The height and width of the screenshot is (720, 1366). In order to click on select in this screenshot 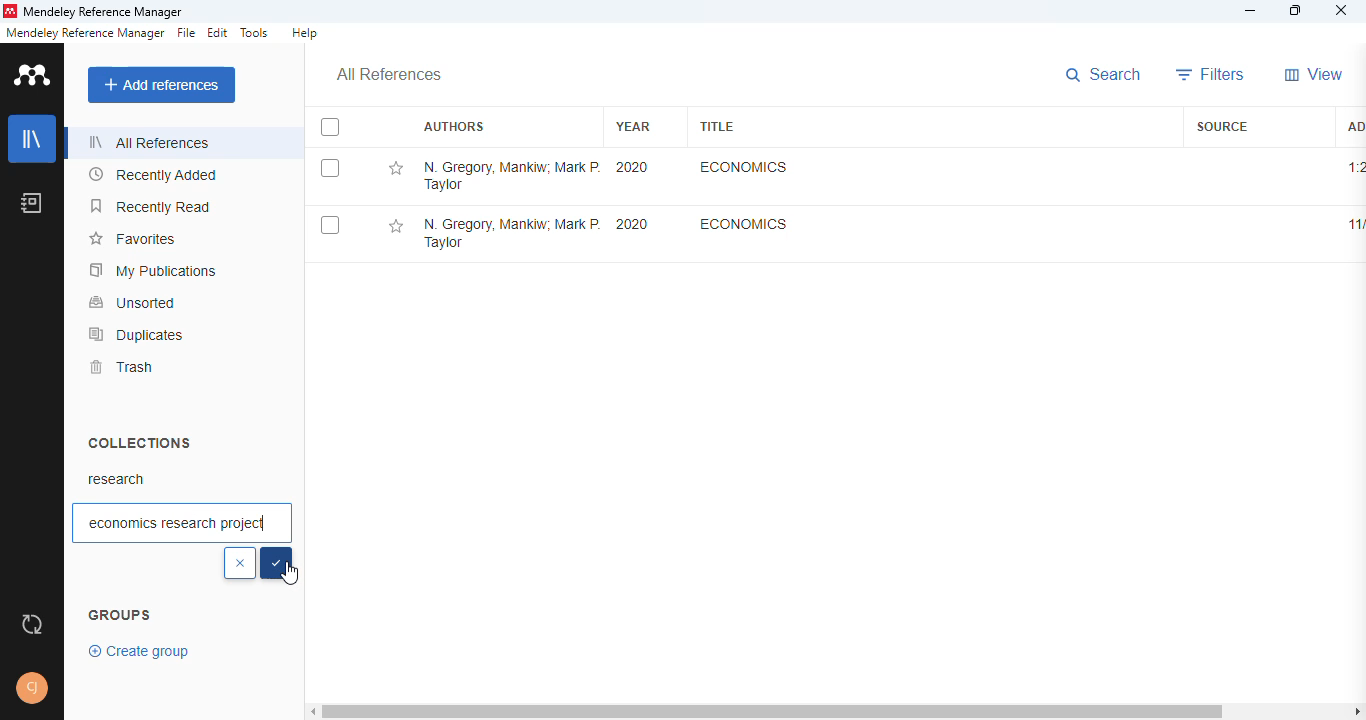, I will do `click(330, 226)`.